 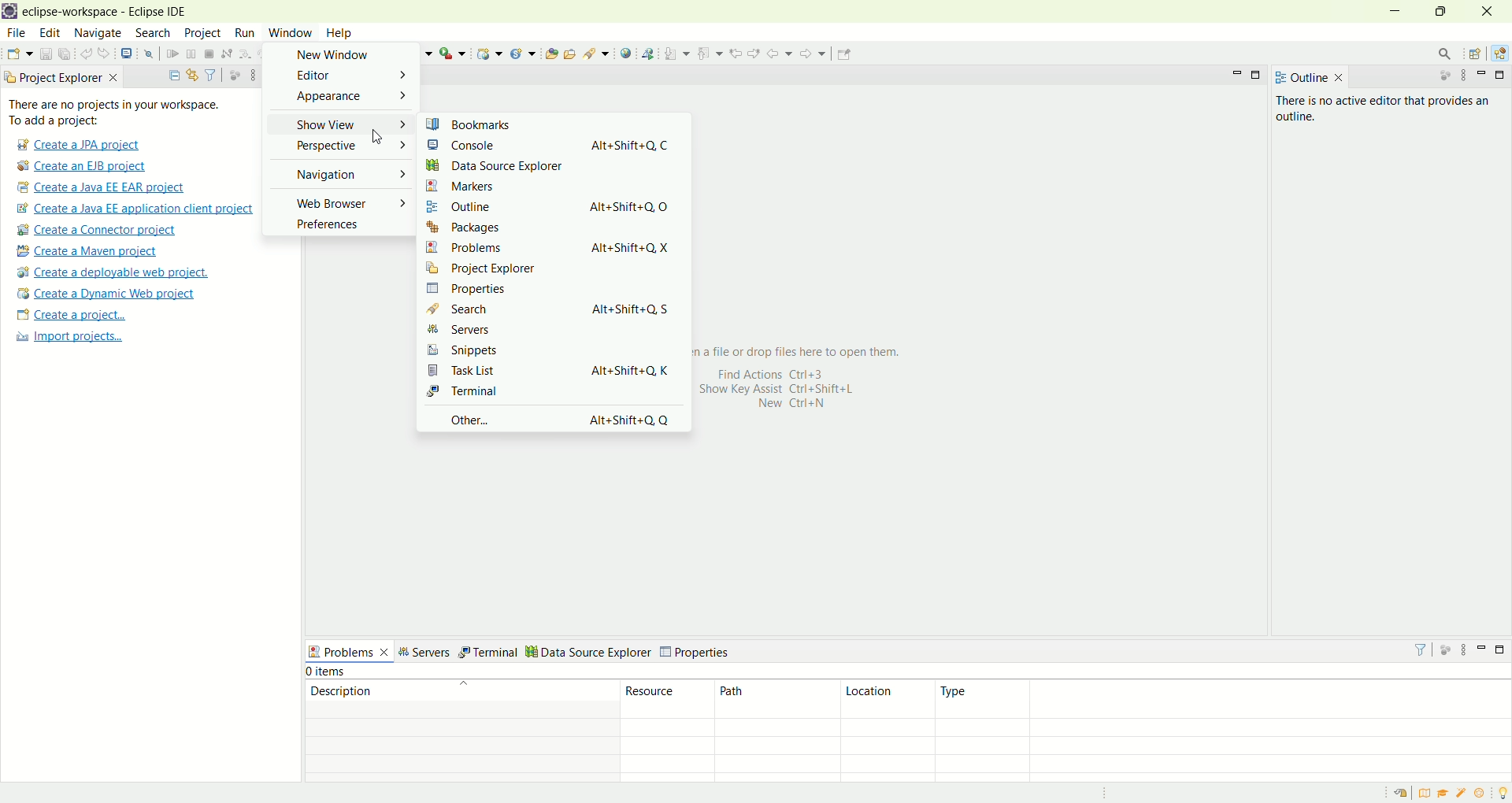 What do you see at coordinates (1480, 794) in the screenshot?
I see `what's new` at bounding box center [1480, 794].